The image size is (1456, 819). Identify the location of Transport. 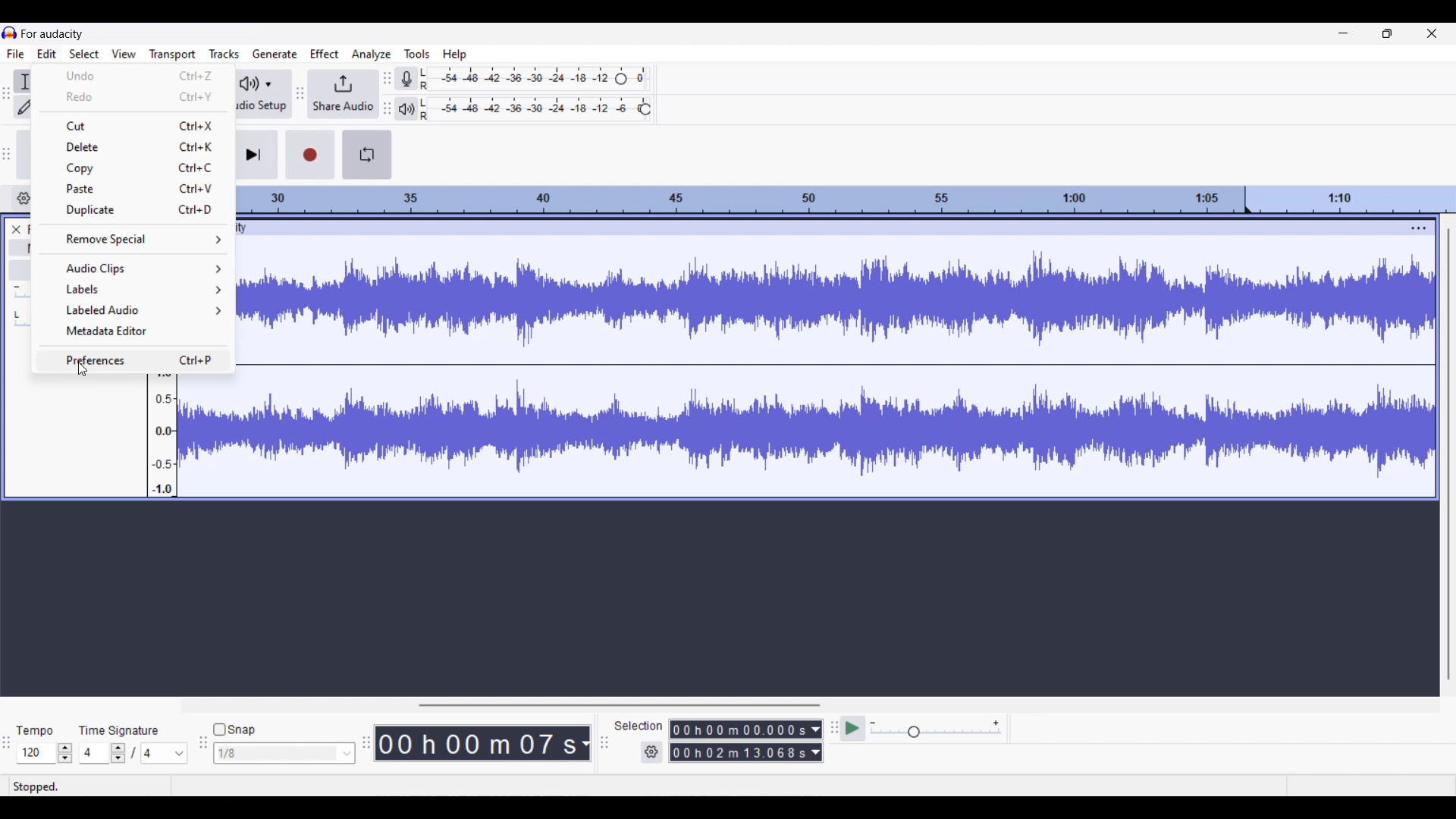
(173, 54).